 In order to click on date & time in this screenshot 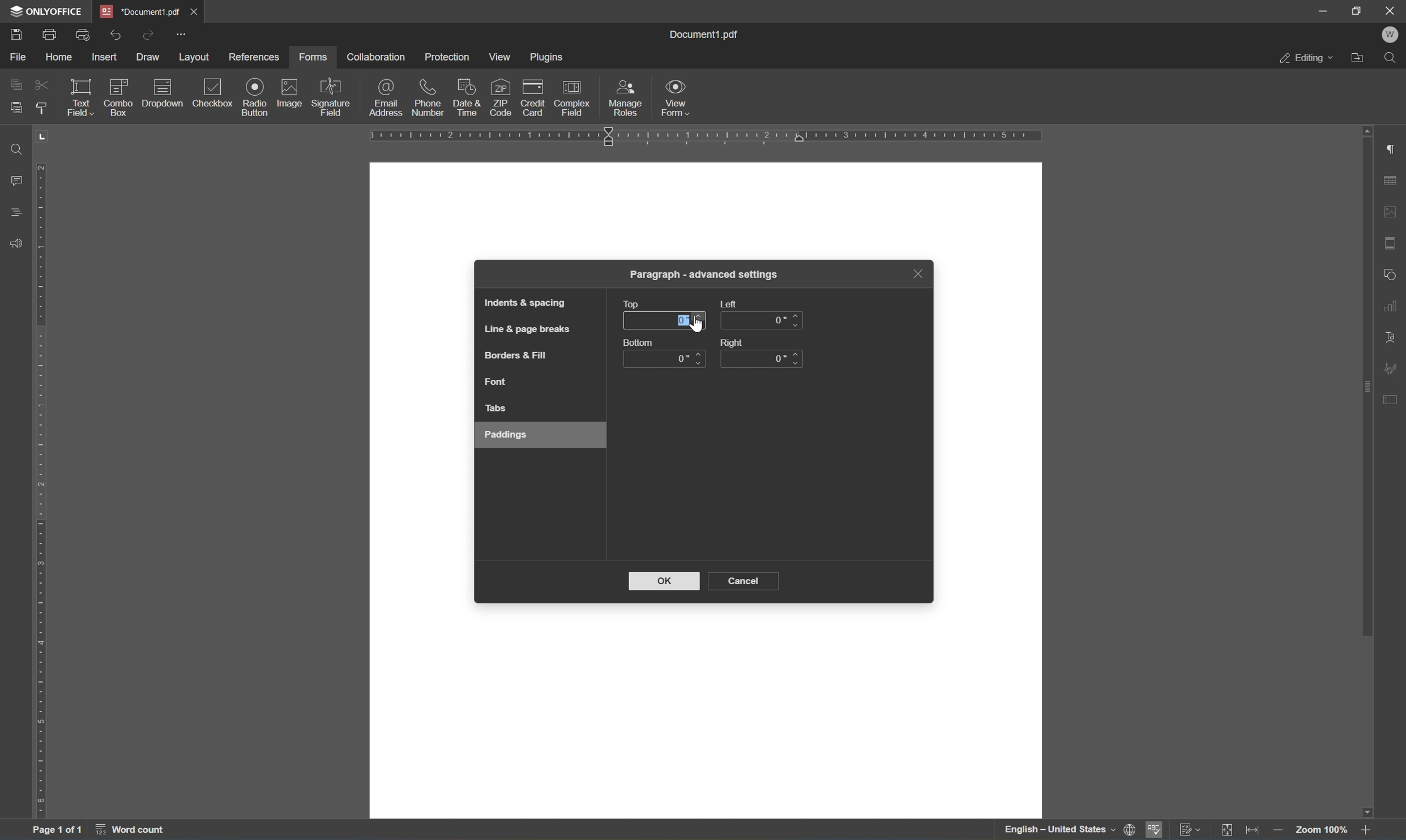, I will do `click(466, 96)`.